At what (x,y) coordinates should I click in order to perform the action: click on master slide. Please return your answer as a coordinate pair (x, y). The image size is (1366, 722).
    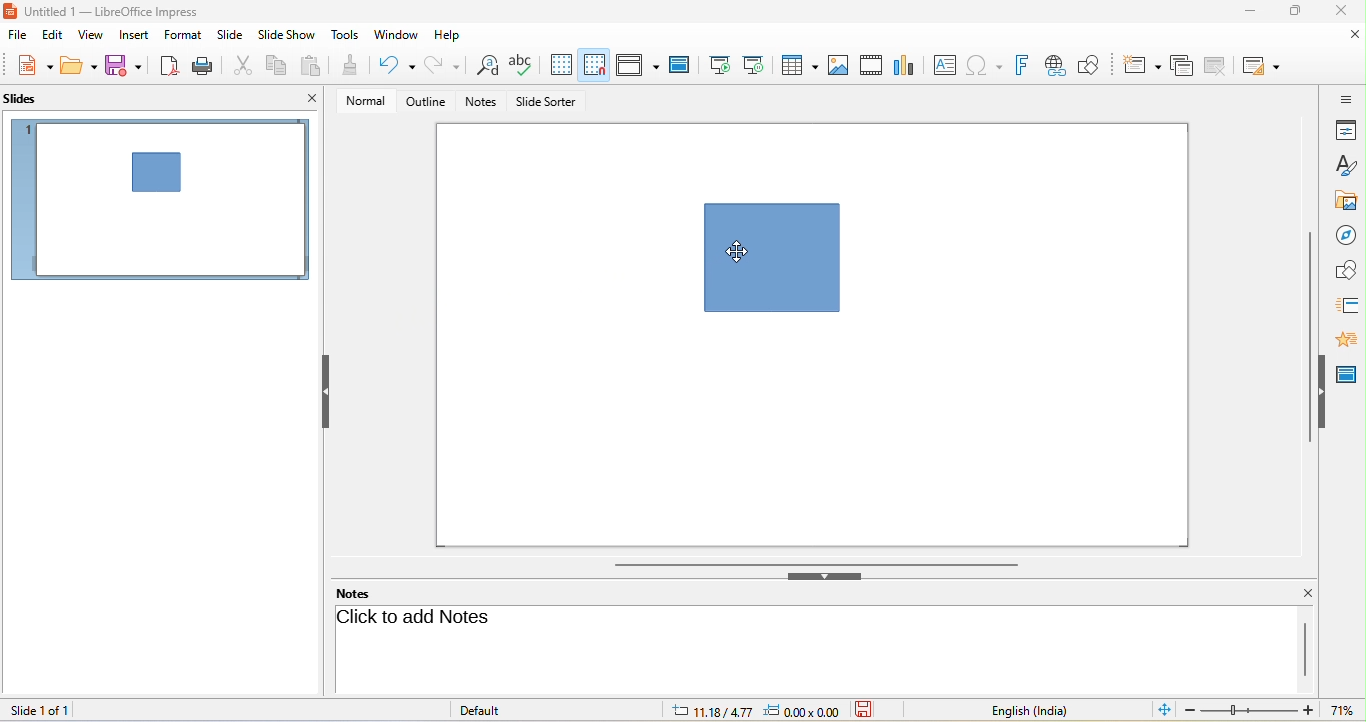
    Looking at the image, I should click on (680, 63).